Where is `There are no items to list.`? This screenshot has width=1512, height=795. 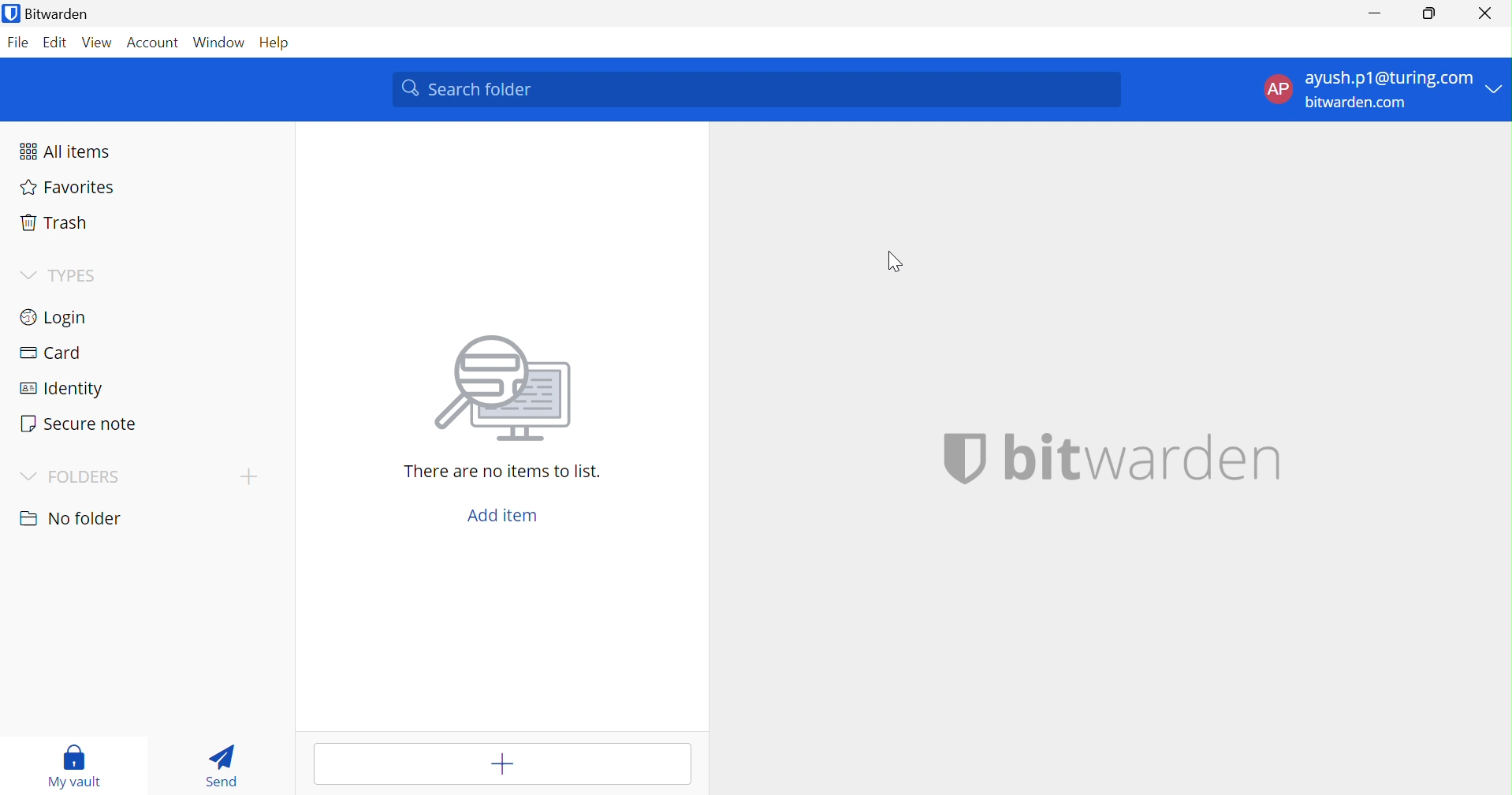
There are no items to list. is located at coordinates (502, 472).